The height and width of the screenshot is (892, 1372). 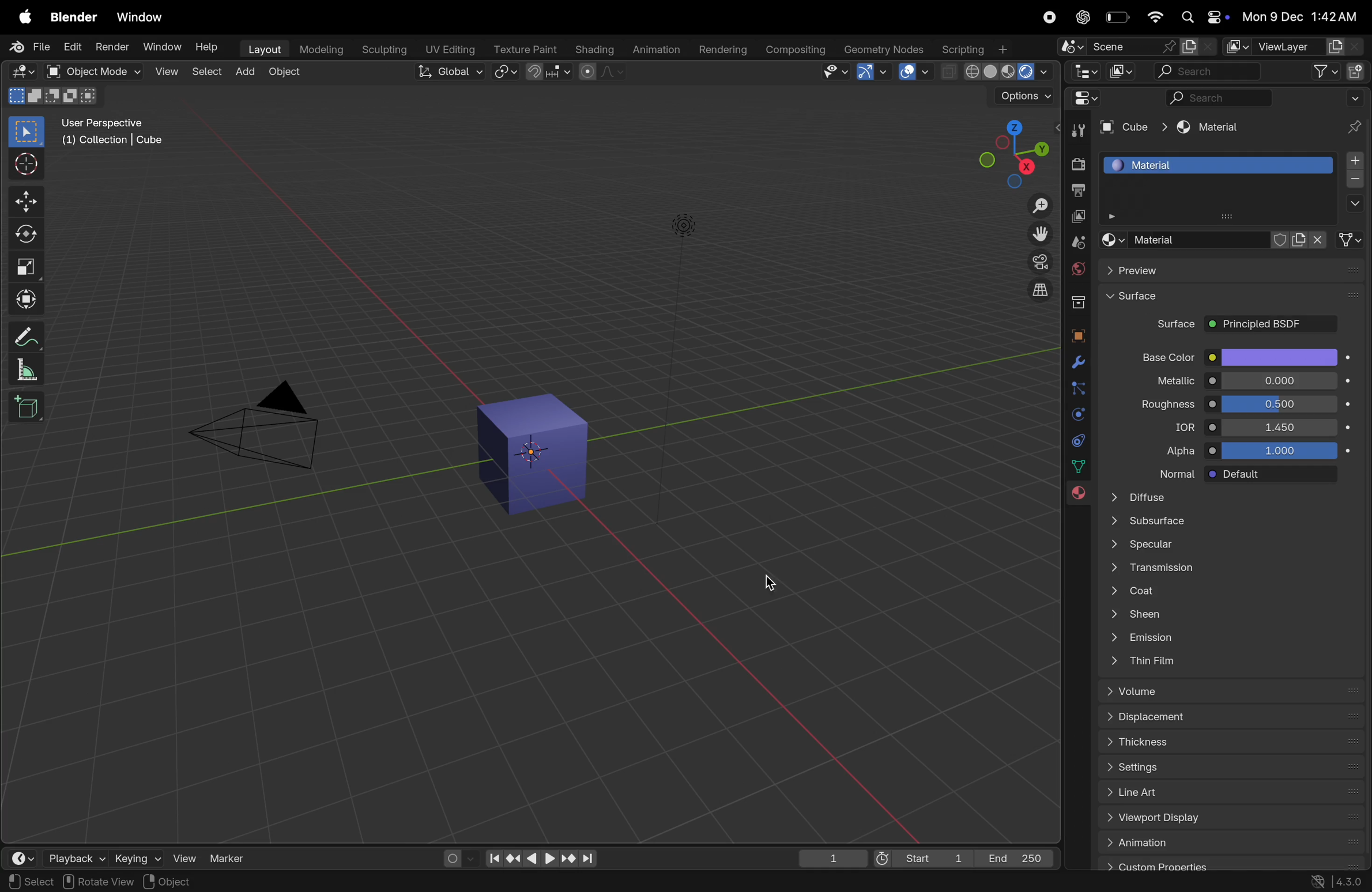 I want to click on remove material slot, so click(x=1355, y=181).